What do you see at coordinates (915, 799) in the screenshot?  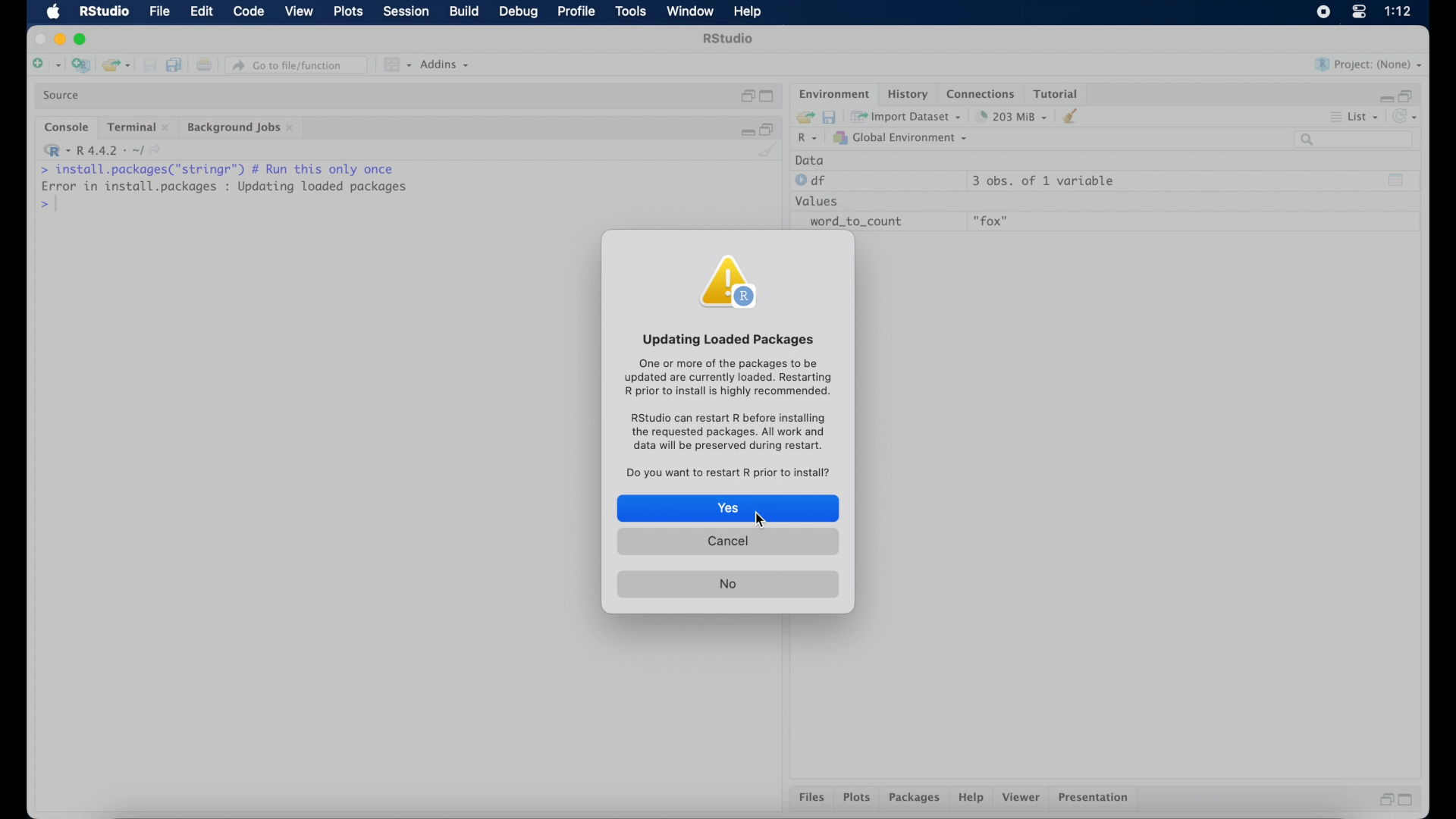 I see `packages` at bounding box center [915, 799].